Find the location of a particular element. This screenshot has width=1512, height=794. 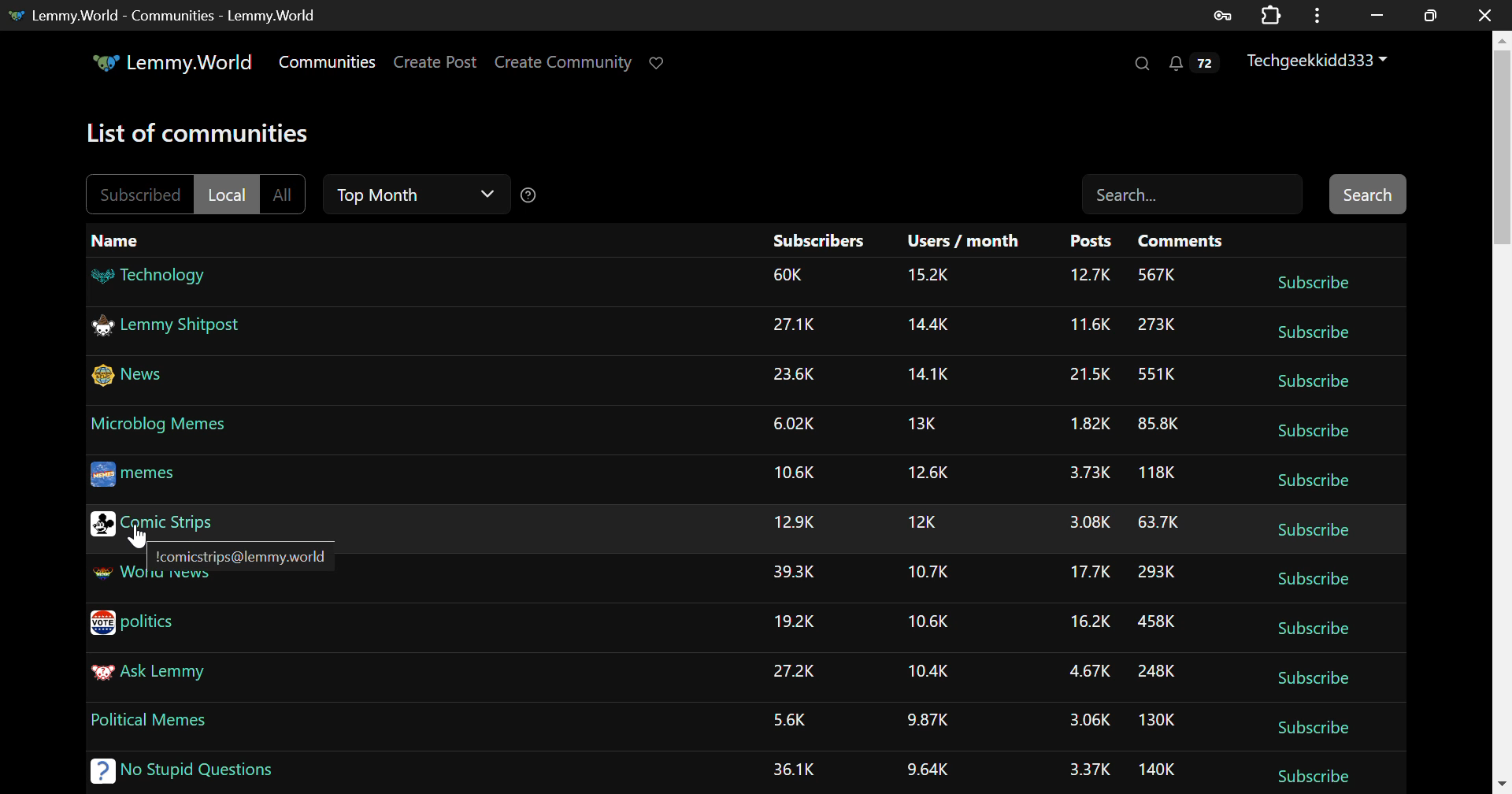

Communities is located at coordinates (327, 61).